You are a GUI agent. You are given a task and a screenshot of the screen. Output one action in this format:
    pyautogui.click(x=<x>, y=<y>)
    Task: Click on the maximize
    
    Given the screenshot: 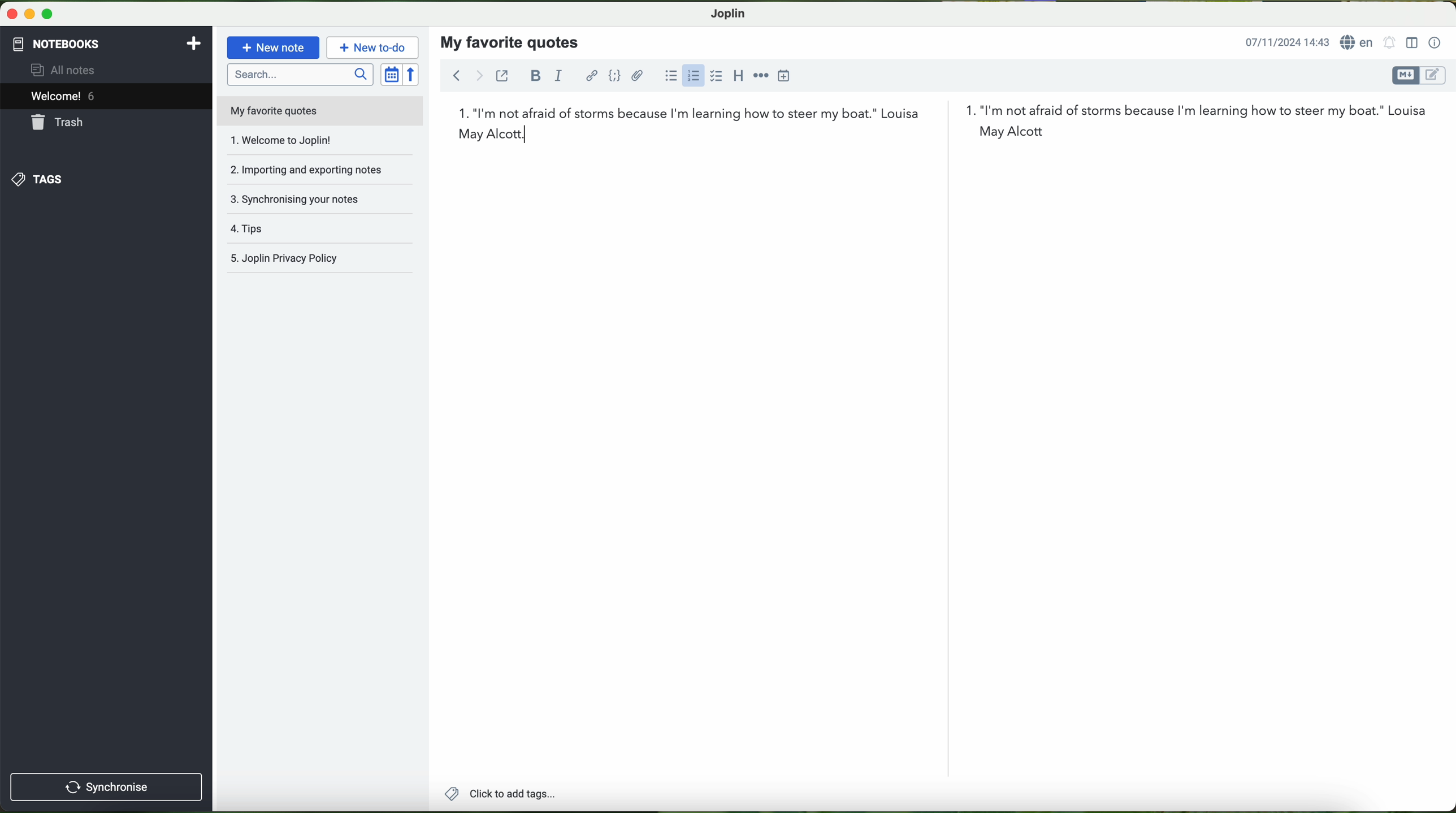 What is the action you would take?
    pyautogui.click(x=47, y=18)
    